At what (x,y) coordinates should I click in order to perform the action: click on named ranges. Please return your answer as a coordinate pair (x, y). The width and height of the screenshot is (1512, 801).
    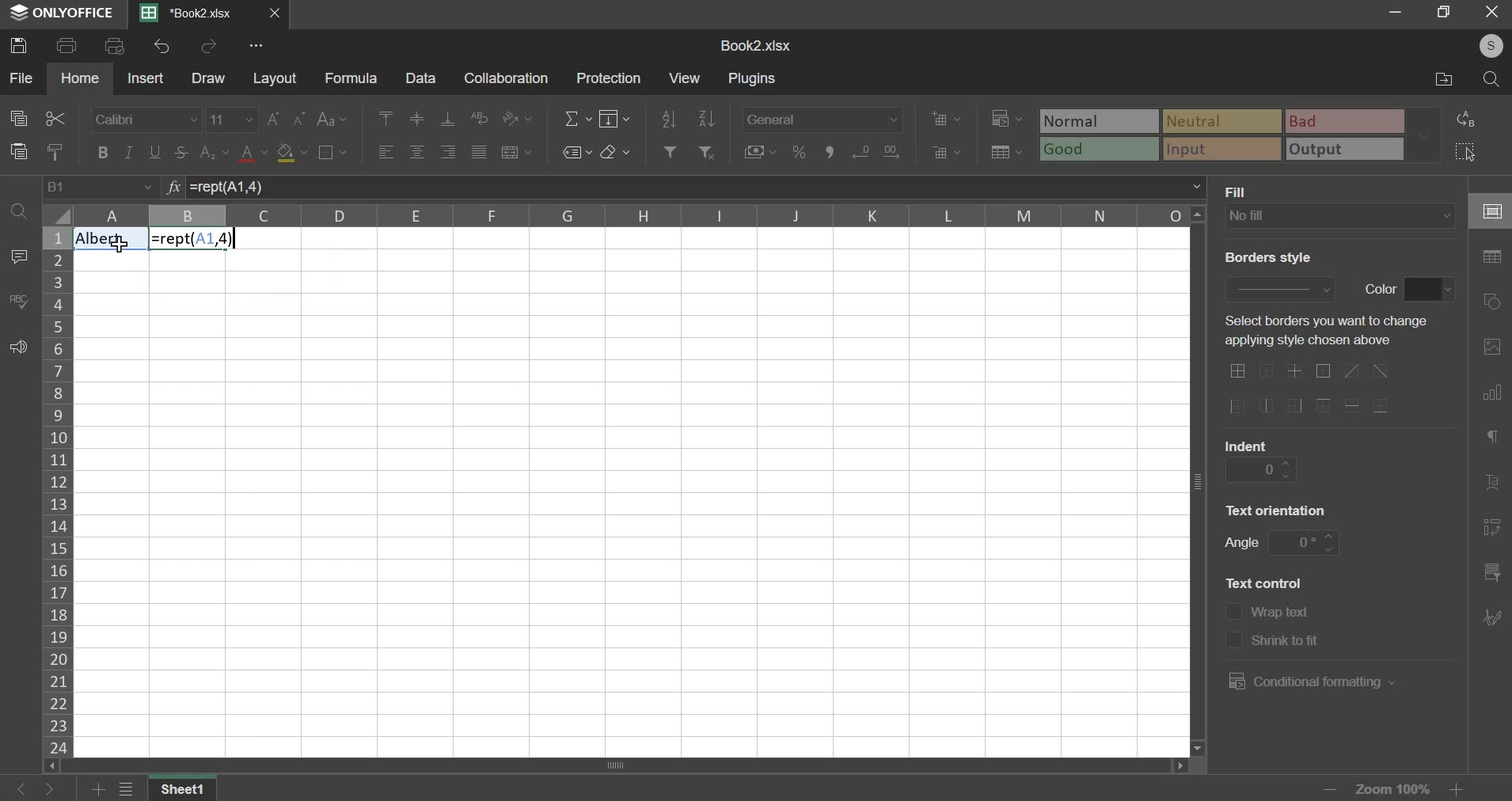
    Looking at the image, I should click on (576, 152).